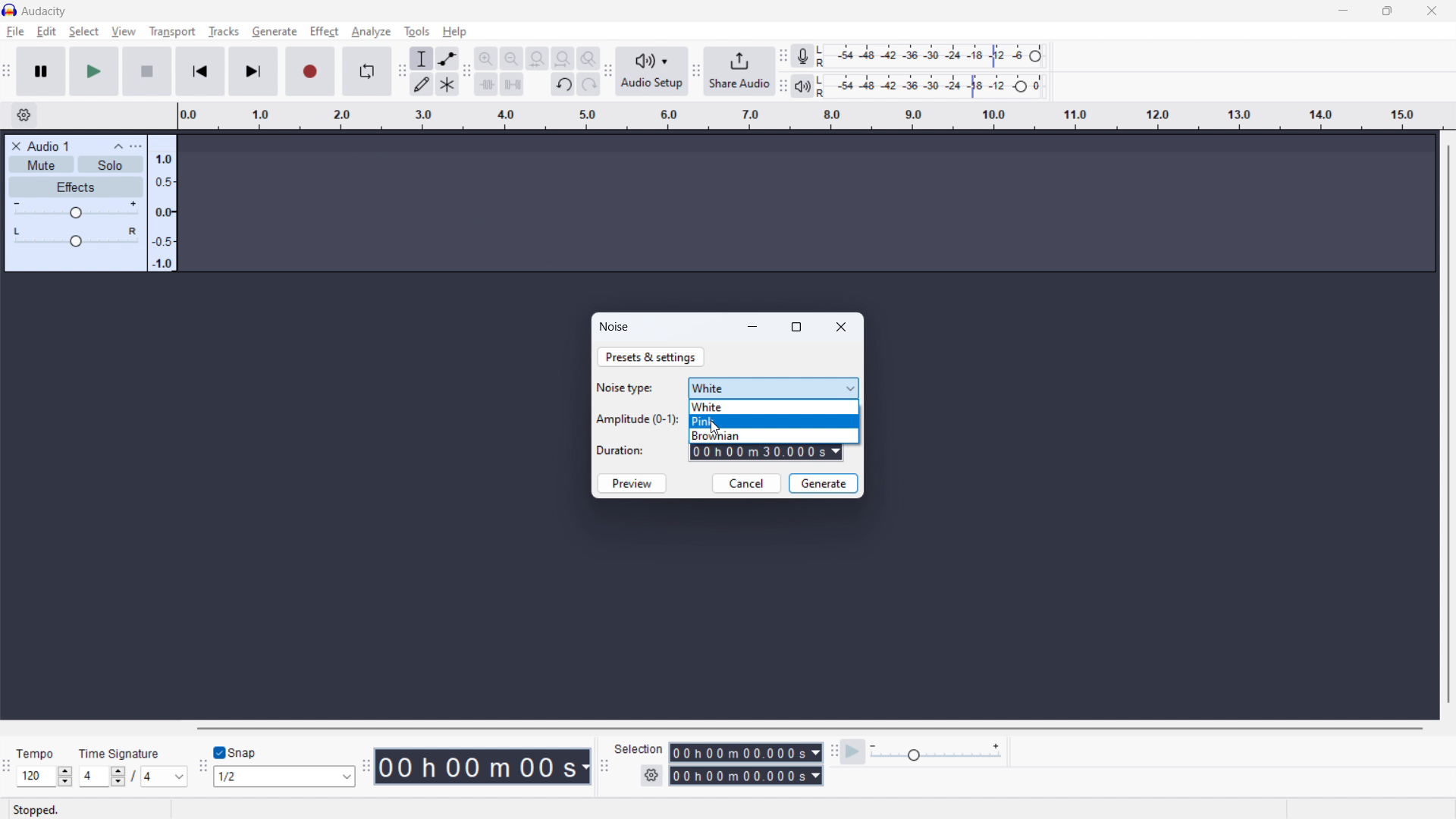  I want to click on multi tool, so click(447, 83).